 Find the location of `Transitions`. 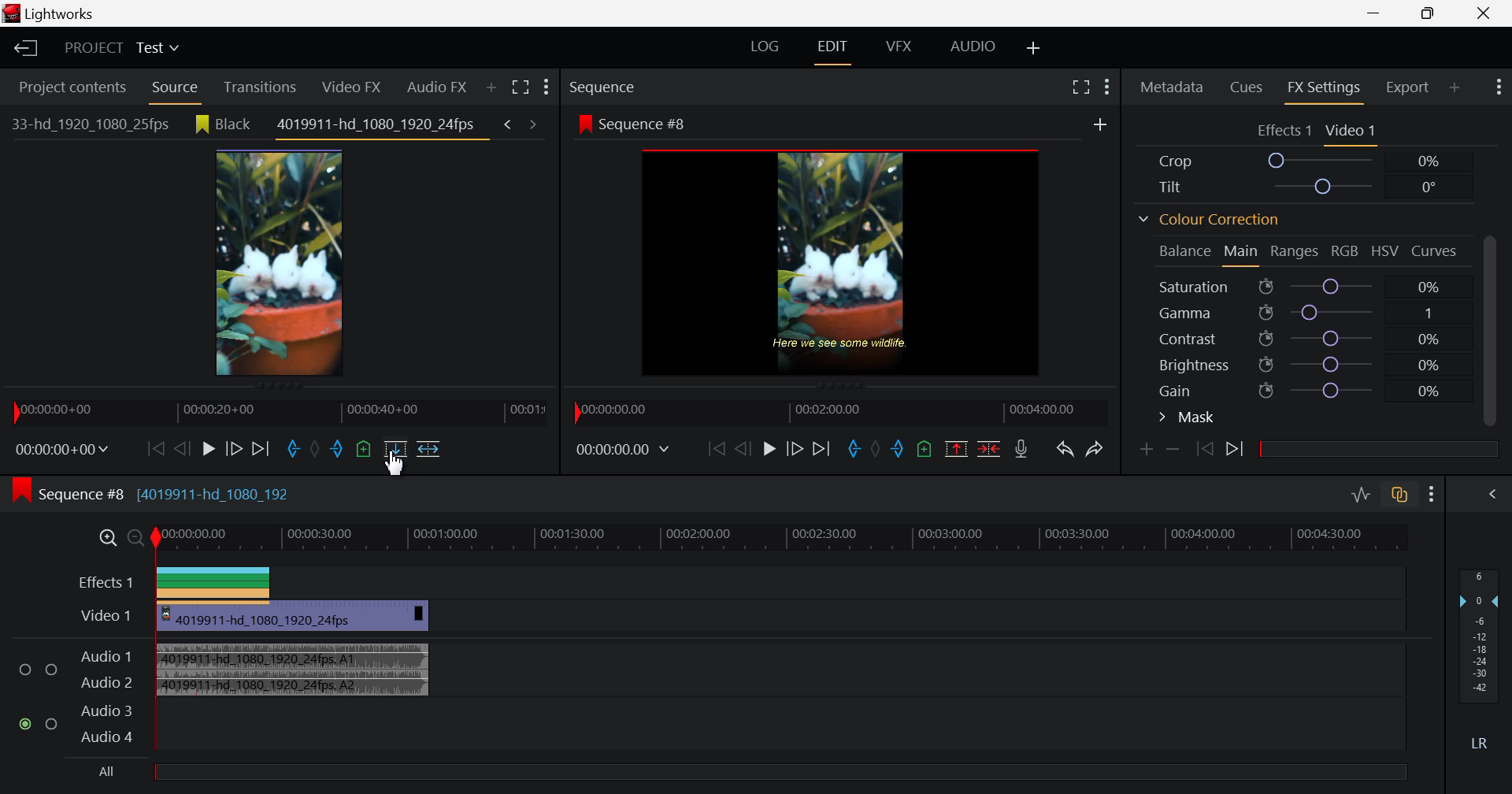

Transitions is located at coordinates (261, 86).